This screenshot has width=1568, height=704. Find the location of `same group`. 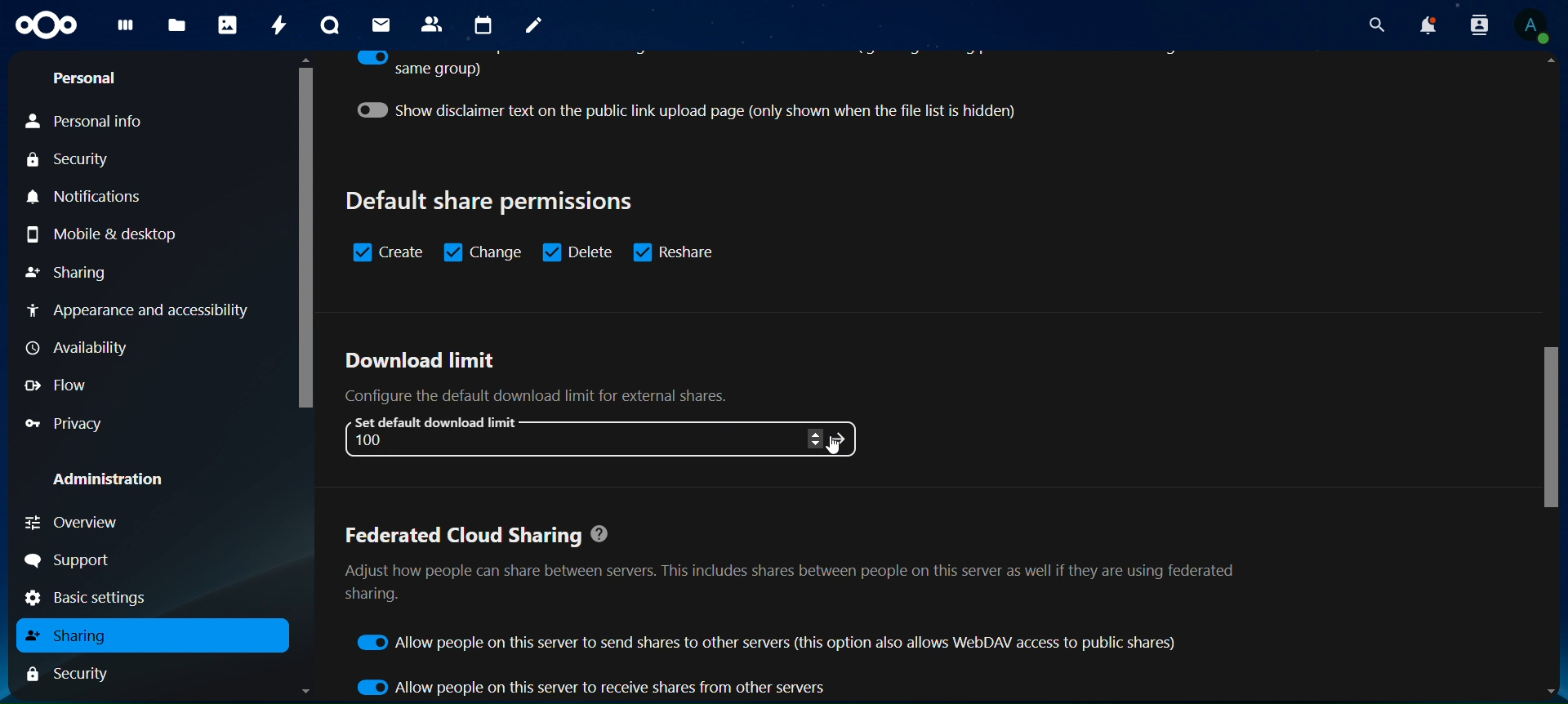

same group is located at coordinates (418, 65).